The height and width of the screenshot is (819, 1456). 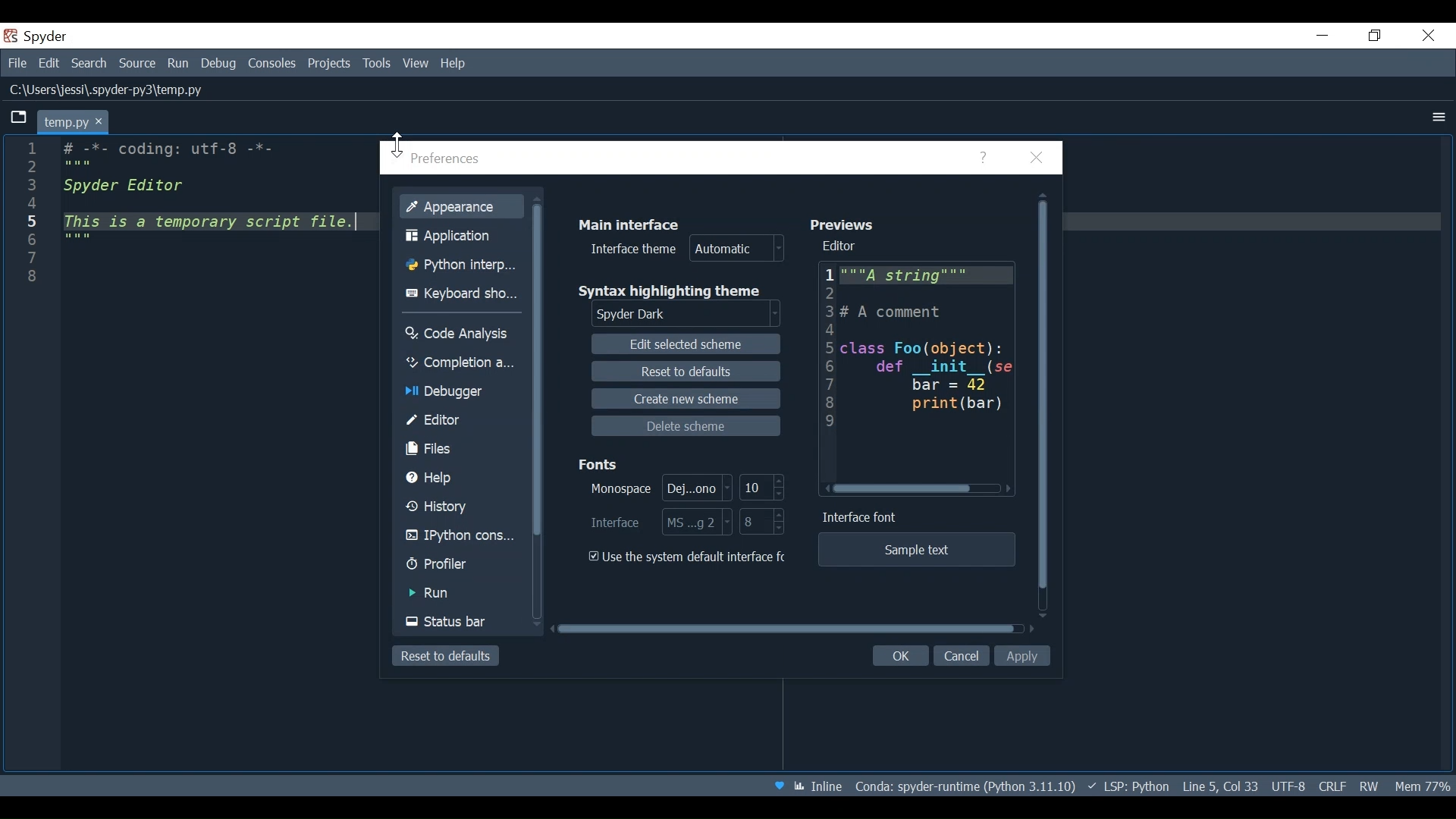 I want to click on IPython console, so click(x=461, y=537).